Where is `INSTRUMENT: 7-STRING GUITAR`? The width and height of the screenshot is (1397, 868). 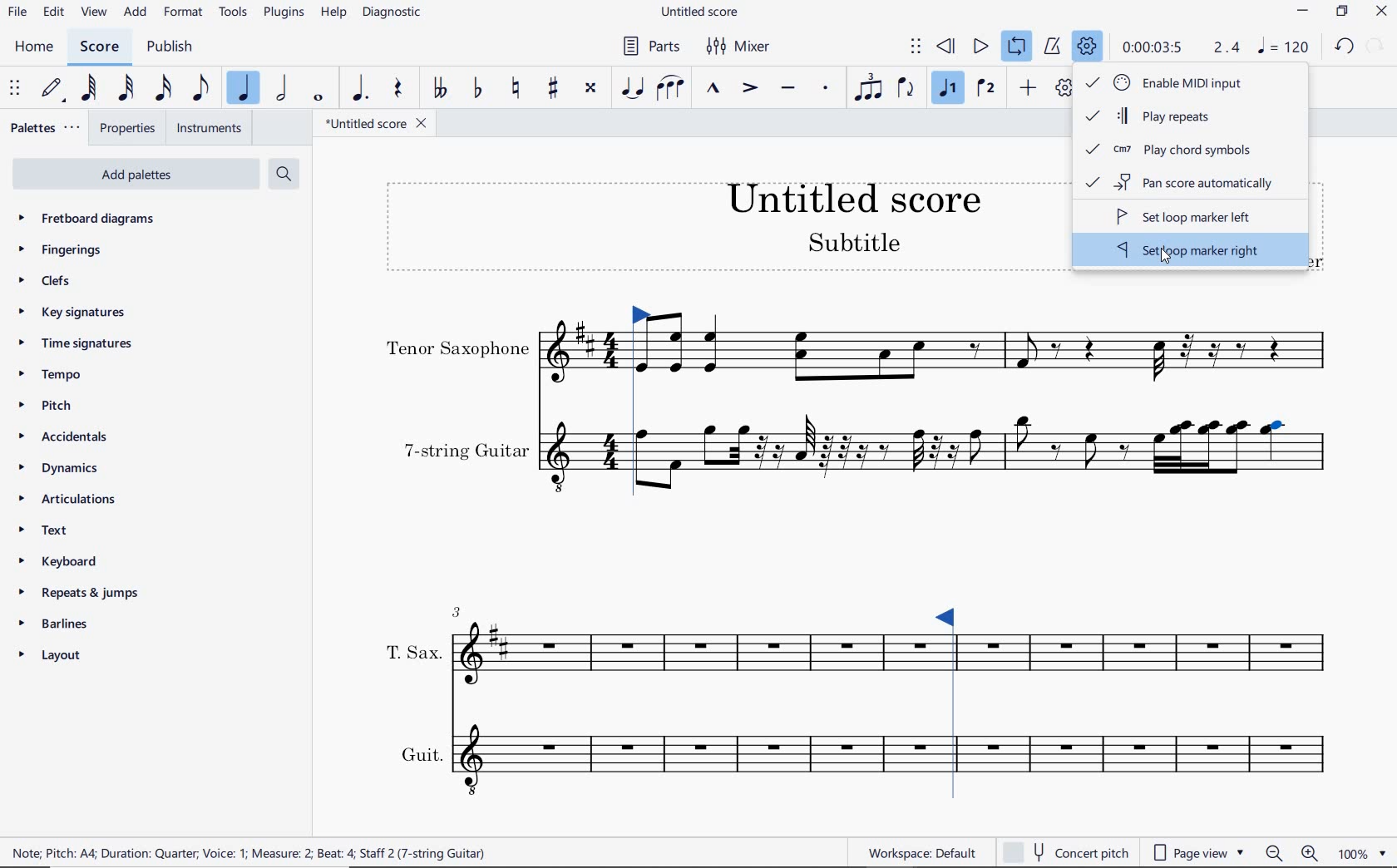 INSTRUMENT: 7-STRING GUITAR is located at coordinates (495, 451).